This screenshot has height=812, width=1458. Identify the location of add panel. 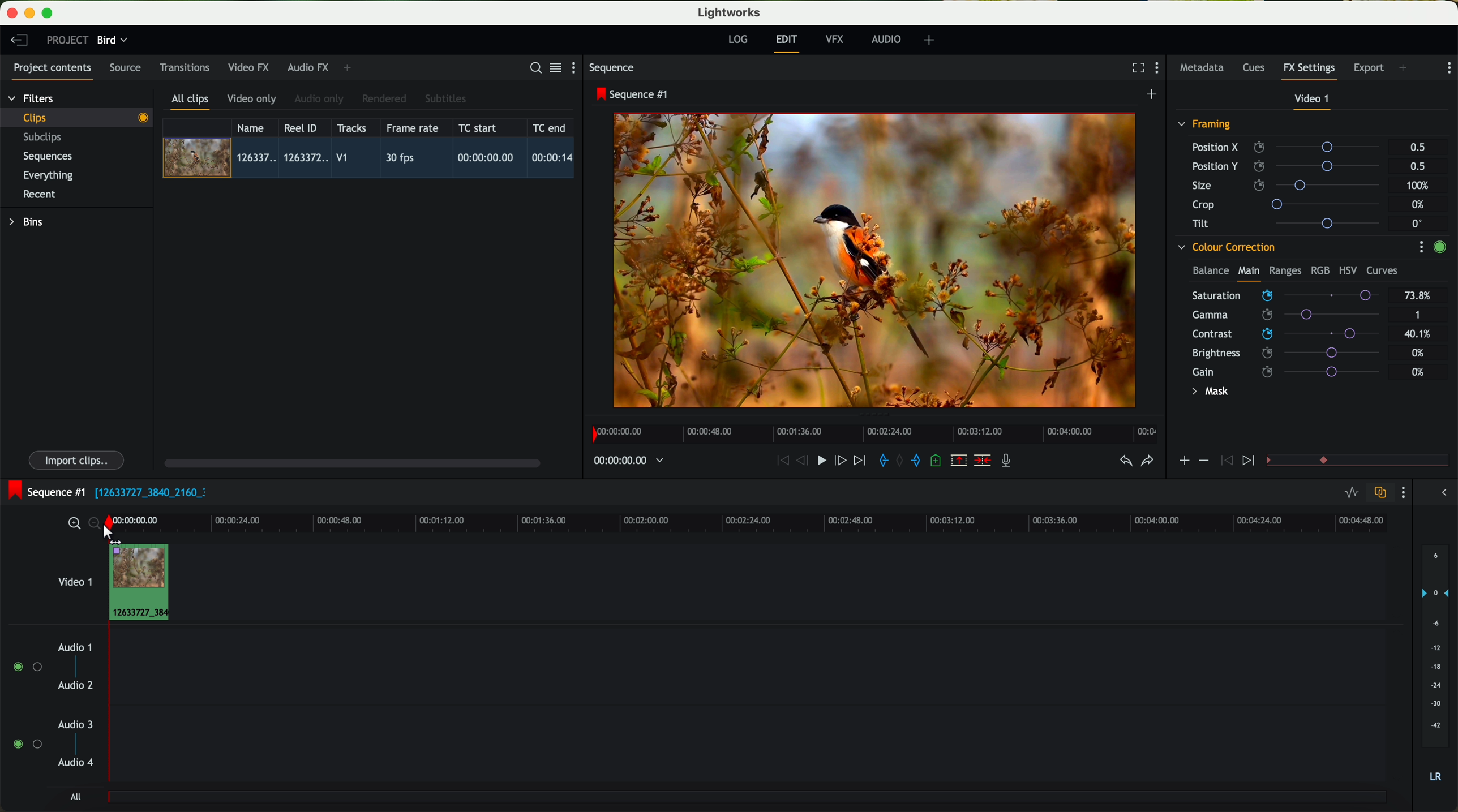
(1406, 69).